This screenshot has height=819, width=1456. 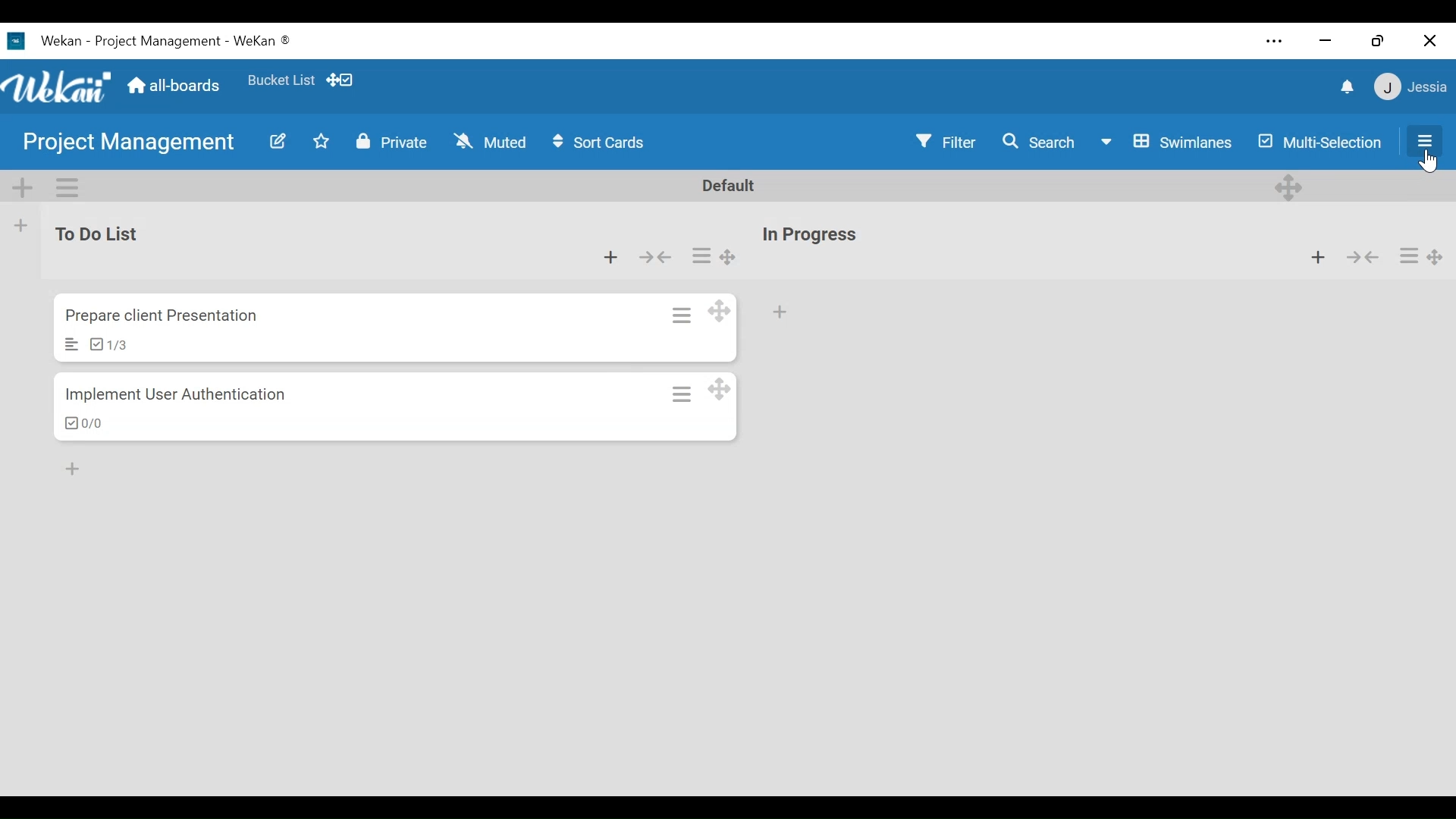 I want to click on Default, so click(x=730, y=187).